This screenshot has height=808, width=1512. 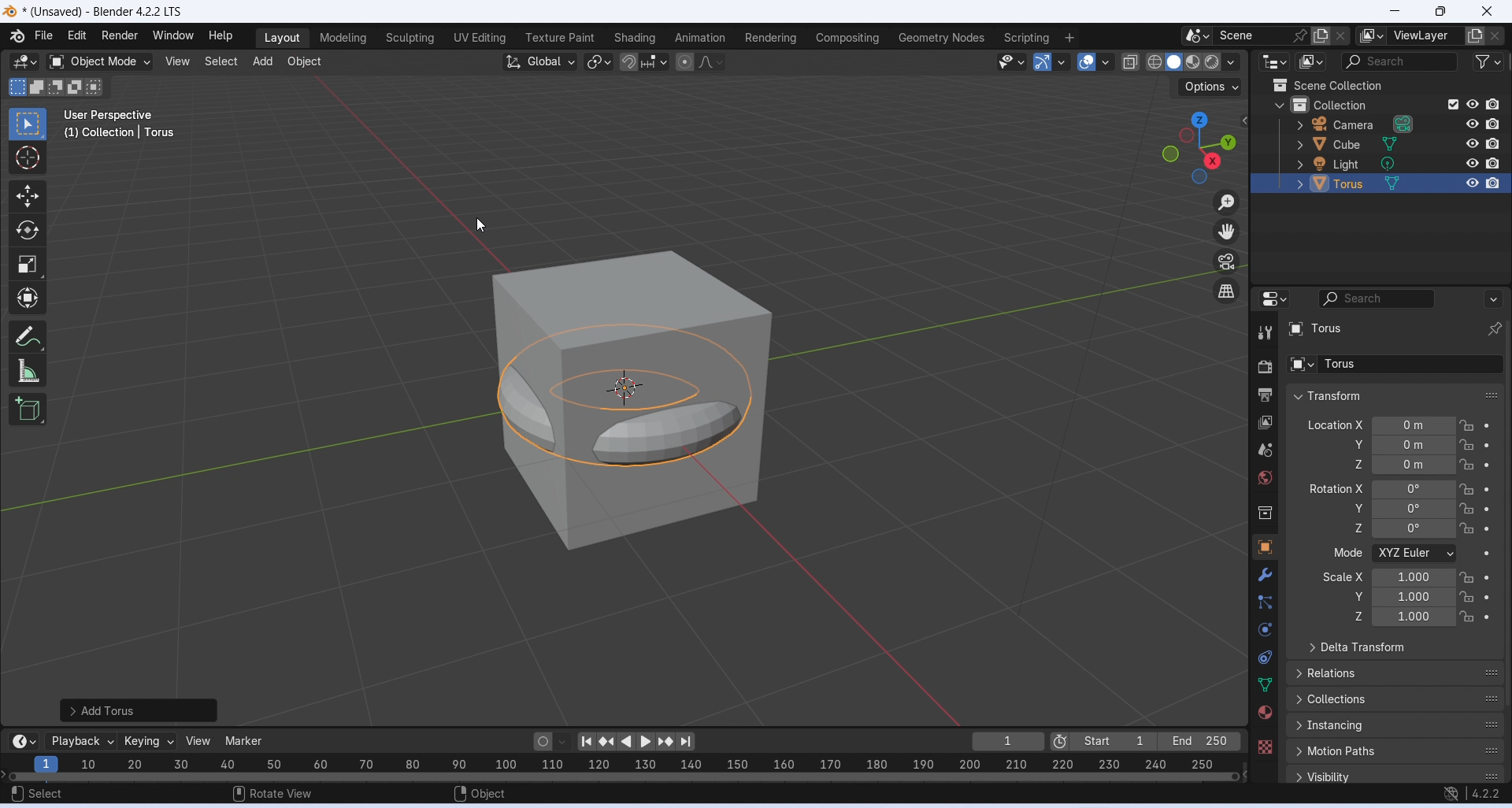 I want to click on Add workspace, so click(x=1069, y=39).